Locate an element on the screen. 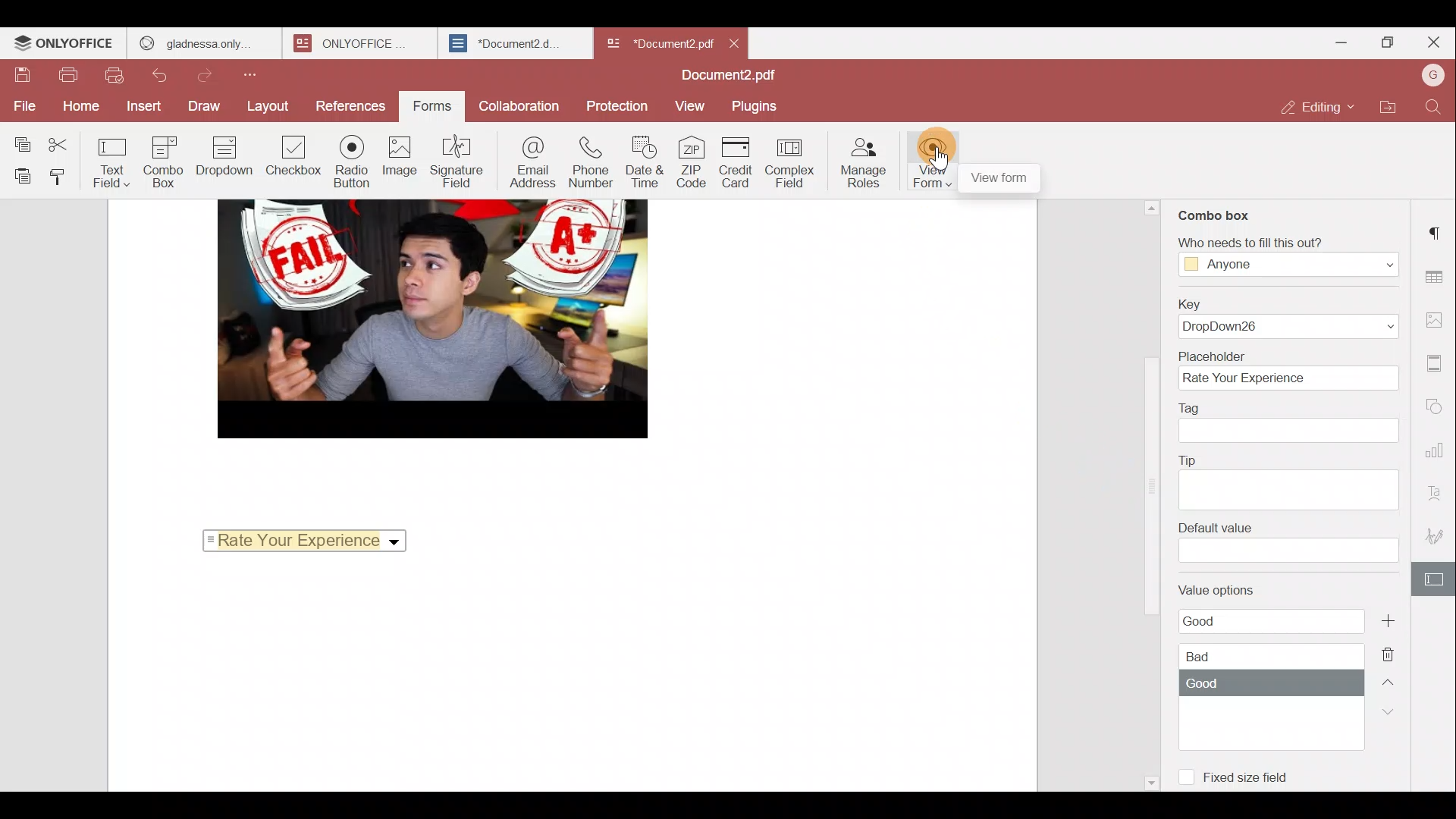 Image resolution: width=1456 pixels, height=819 pixels. Form settings is located at coordinates (1435, 579).